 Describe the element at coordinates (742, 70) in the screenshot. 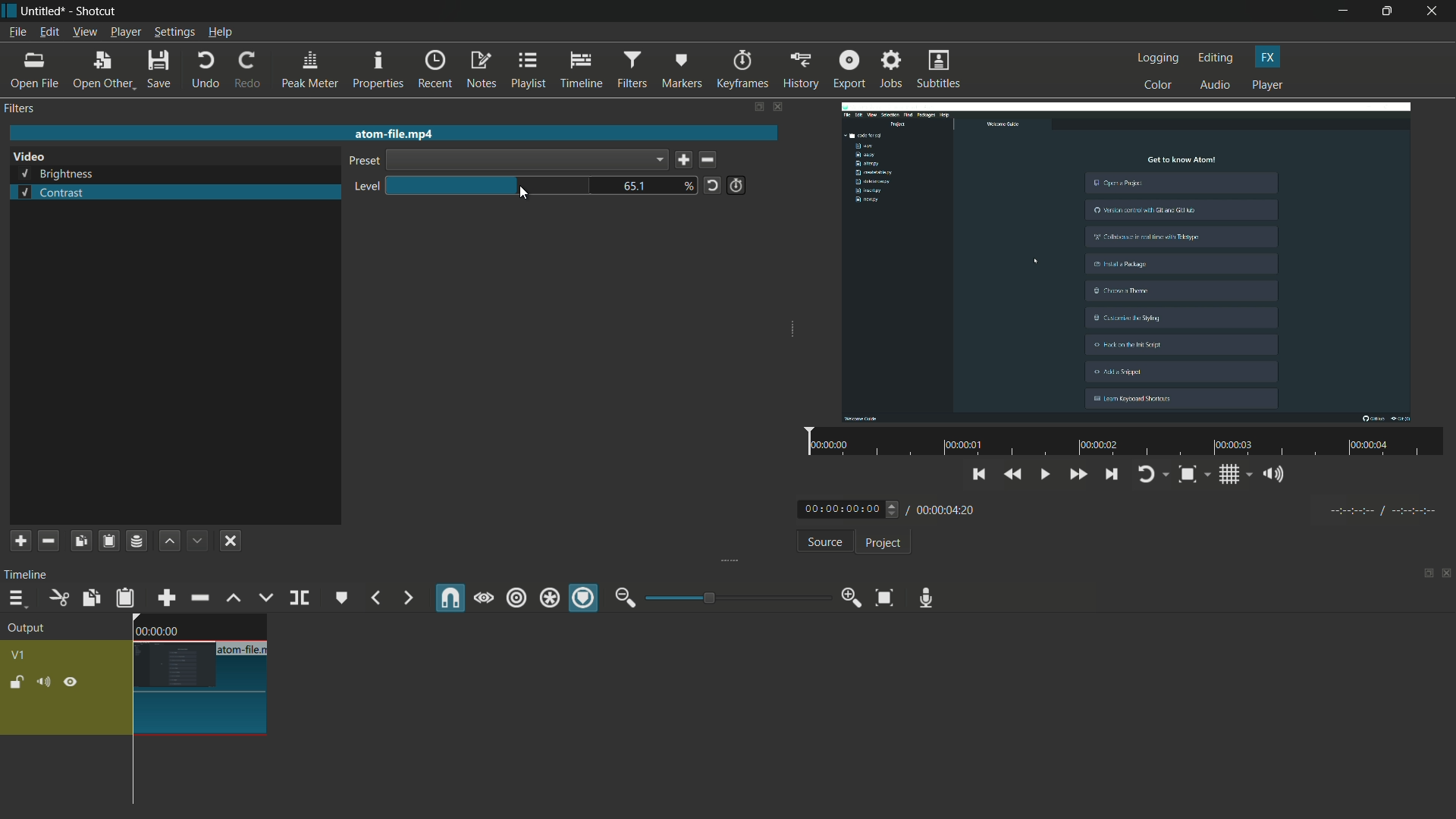

I see `keyframes` at that location.